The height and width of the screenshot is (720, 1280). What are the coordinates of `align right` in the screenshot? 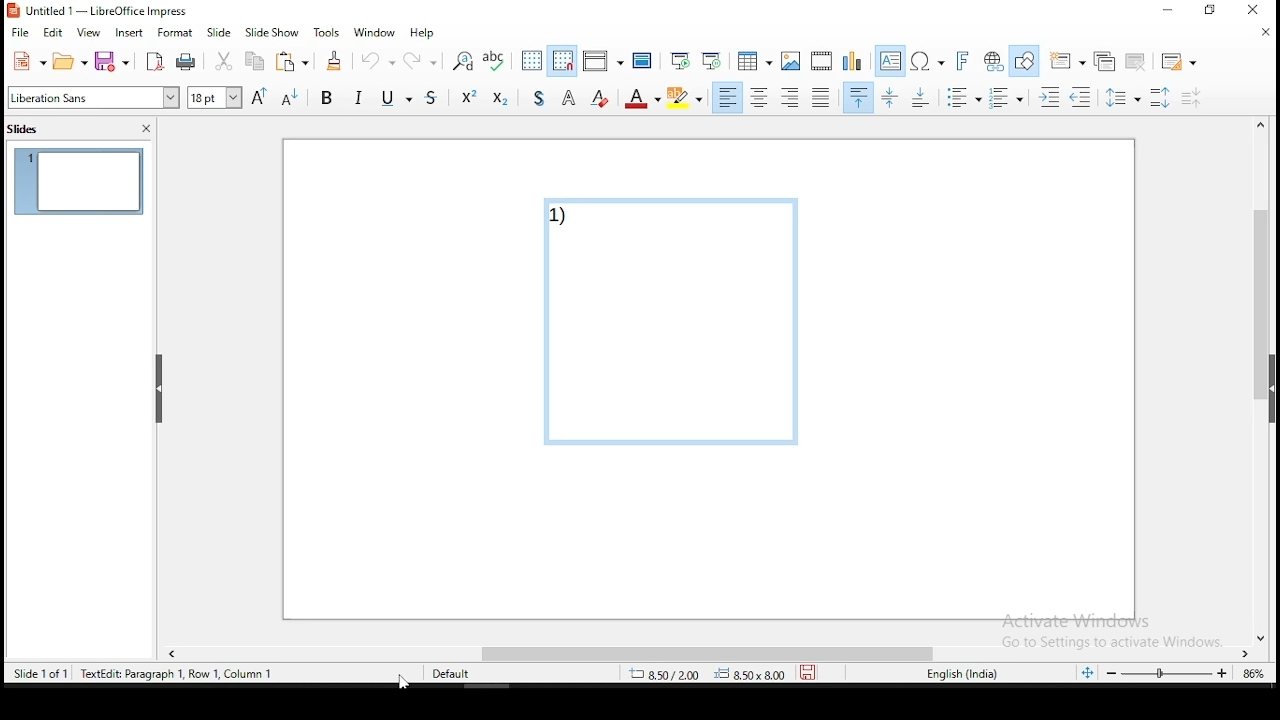 It's located at (792, 99).